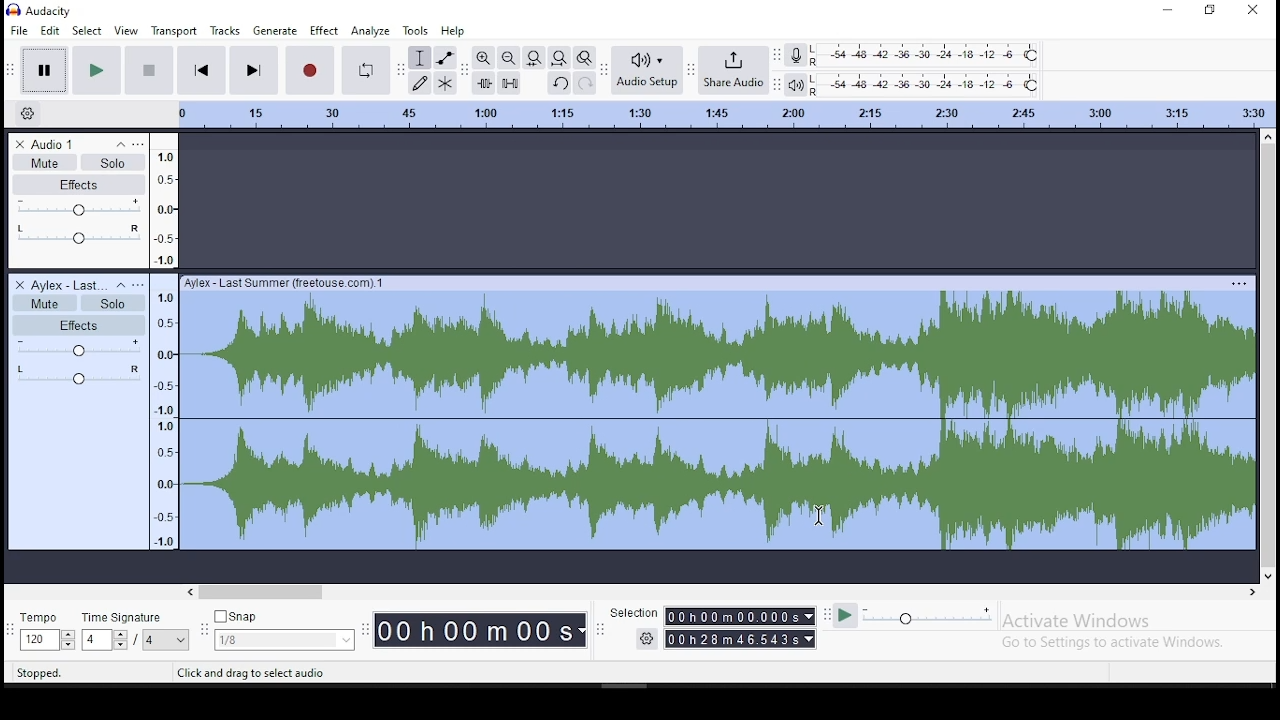  What do you see at coordinates (201, 70) in the screenshot?
I see `skip to start` at bounding box center [201, 70].